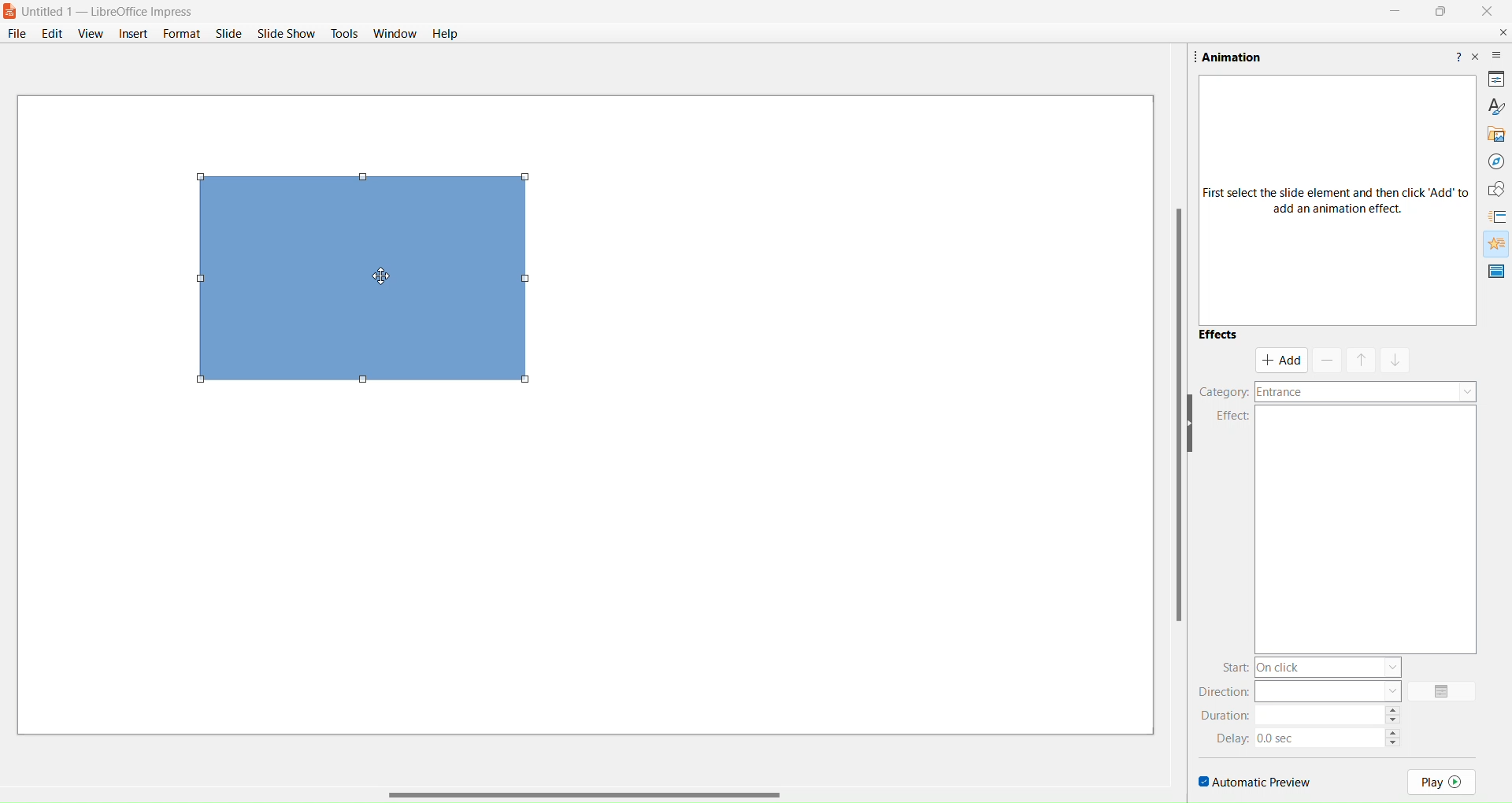 The image size is (1512, 803). What do you see at coordinates (1443, 780) in the screenshot?
I see `play` at bounding box center [1443, 780].